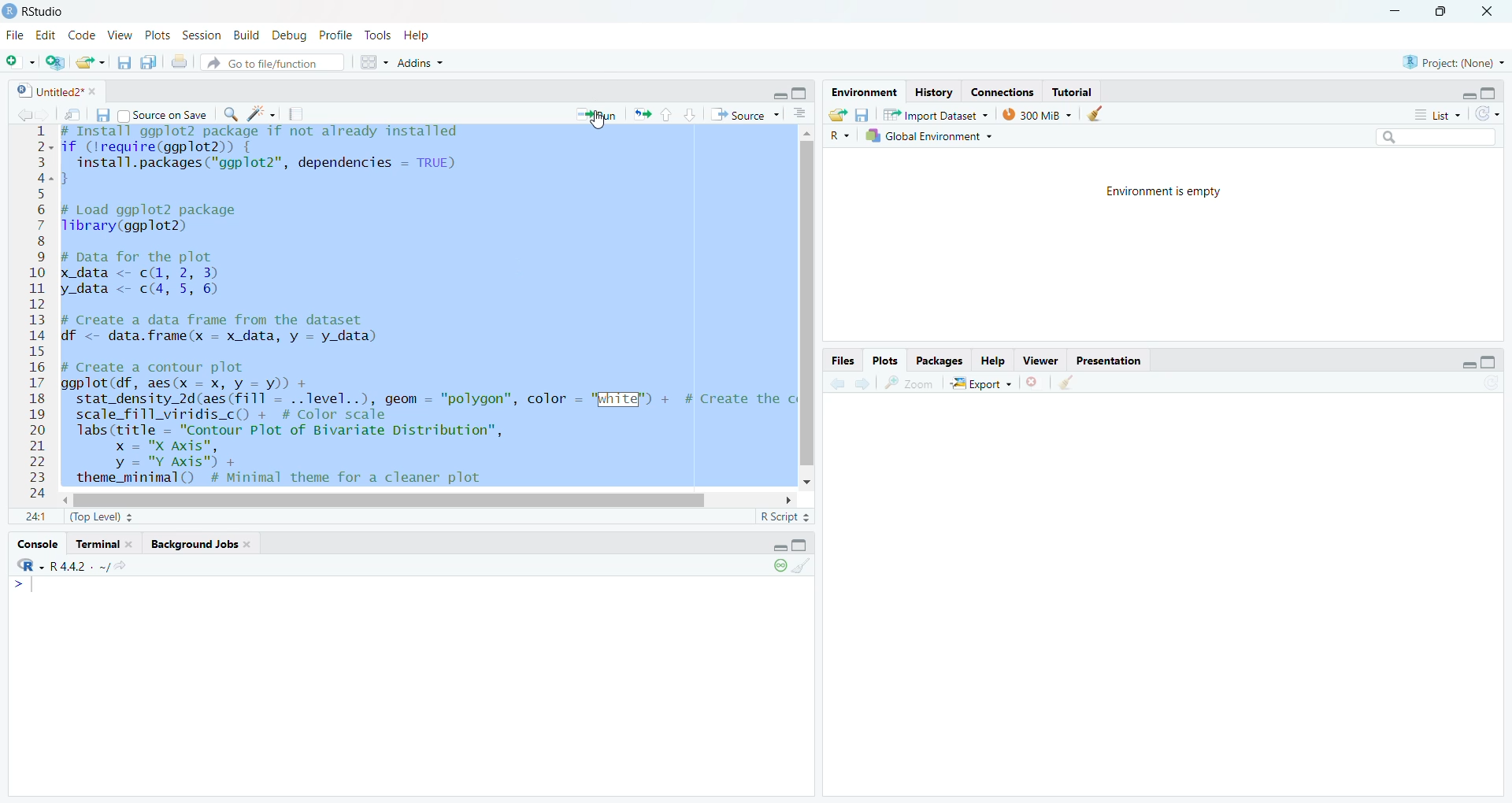 The image size is (1512, 803). I want to click on go back to the next source location, so click(43, 115).